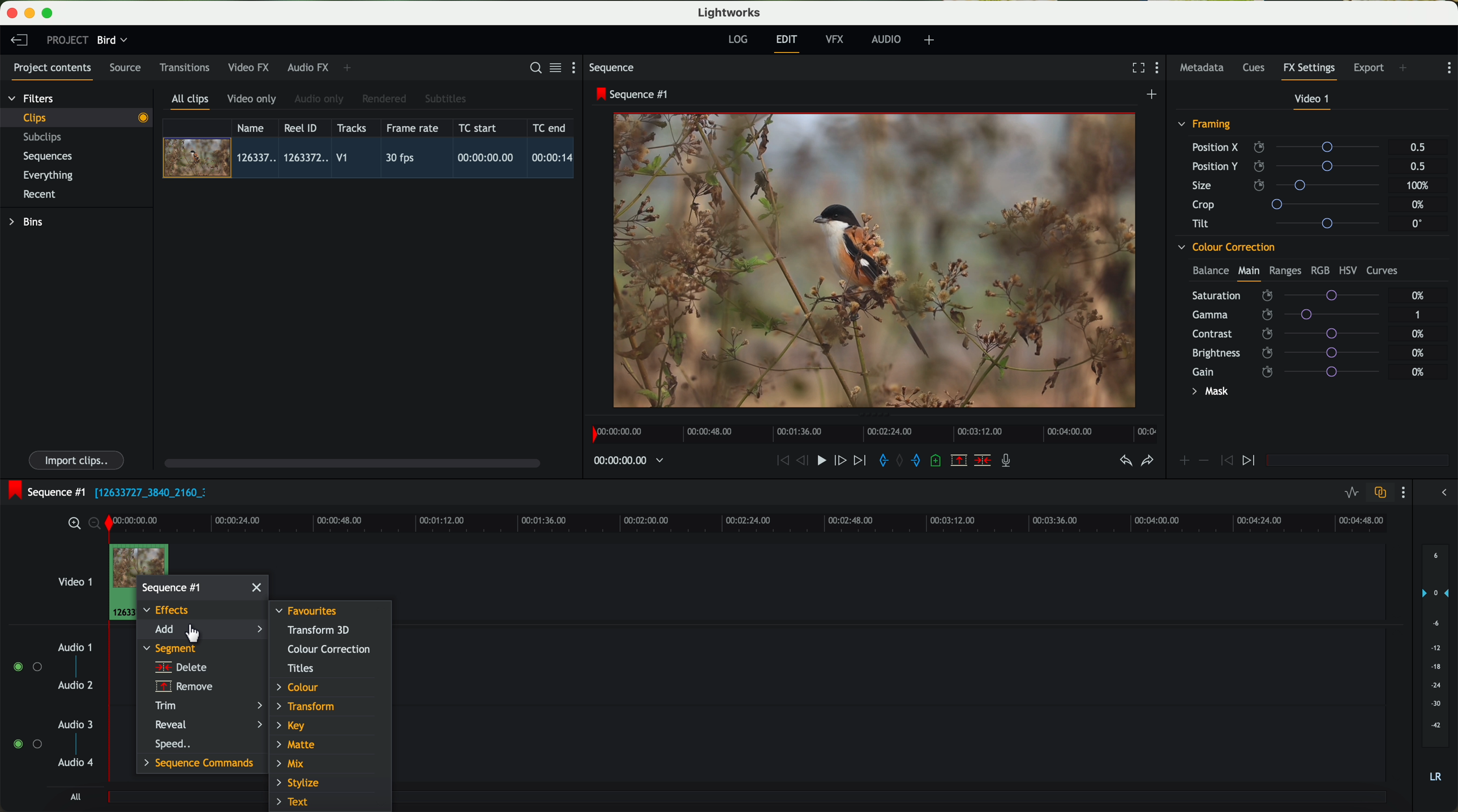  I want to click on text, so click(293, 801).